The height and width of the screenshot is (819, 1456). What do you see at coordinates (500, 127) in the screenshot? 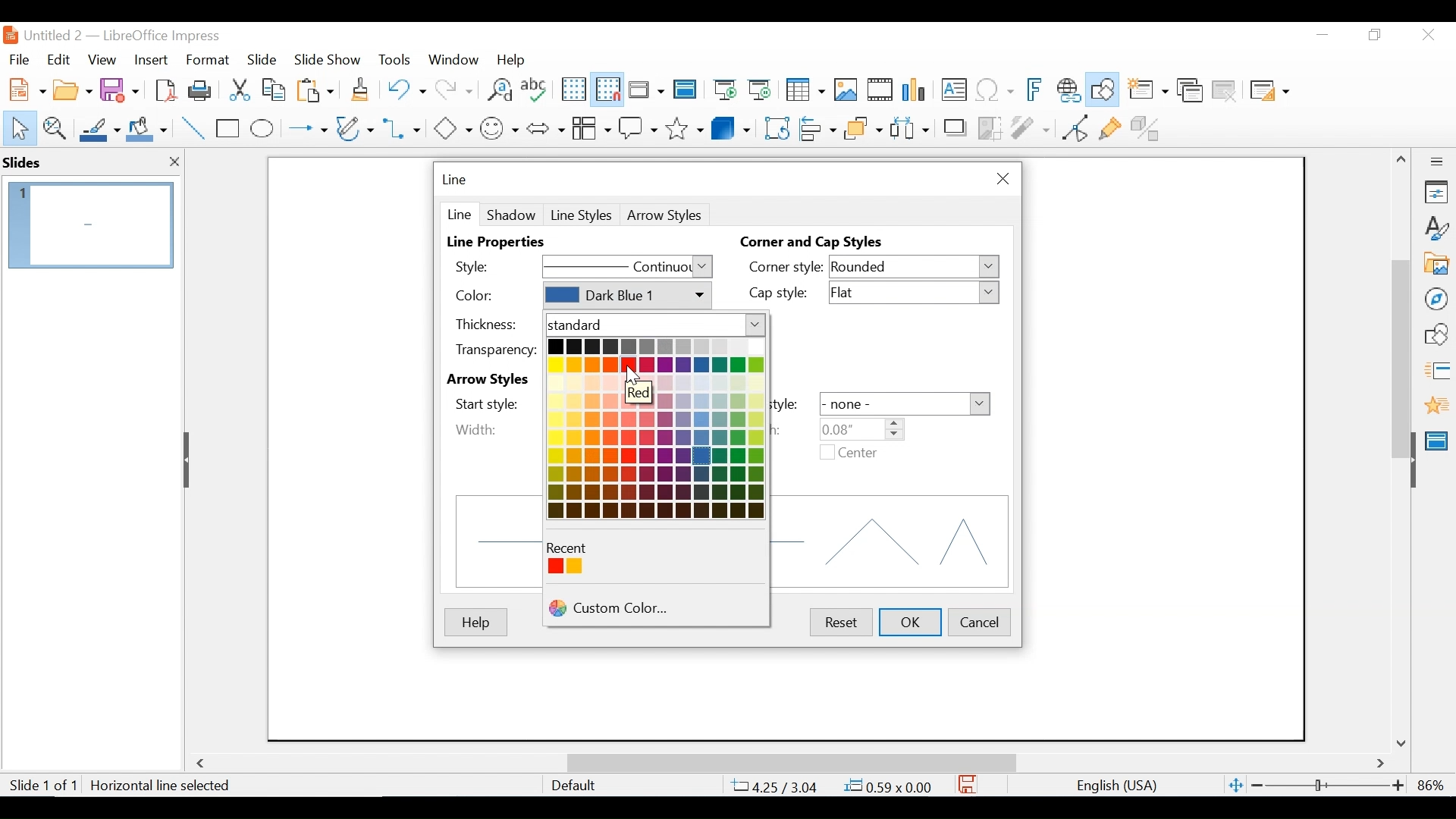
I see `Symbol shapes` at bounding box center [500, 127].